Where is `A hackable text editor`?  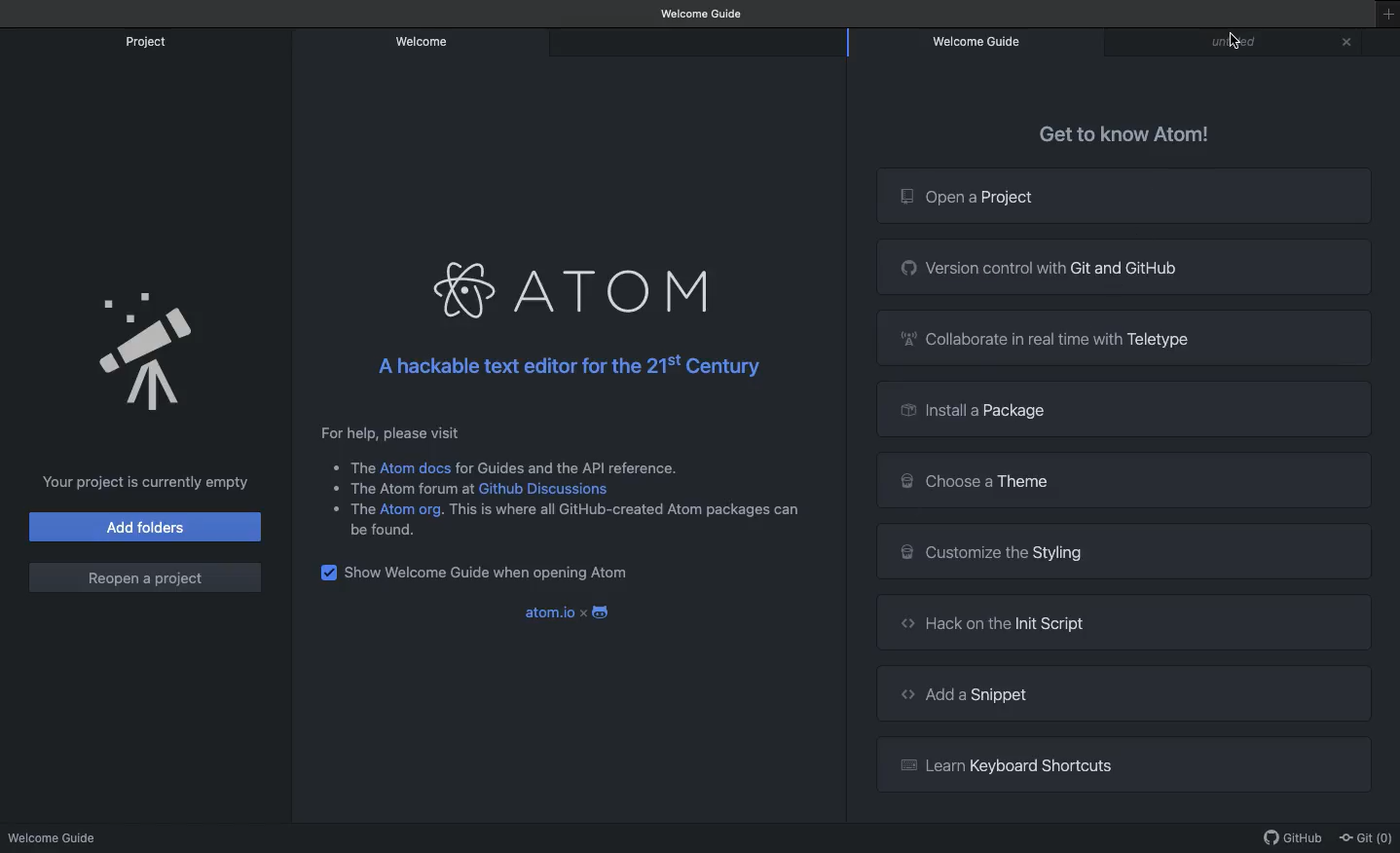 A hackable text editor is located at coordinates (570, 365).